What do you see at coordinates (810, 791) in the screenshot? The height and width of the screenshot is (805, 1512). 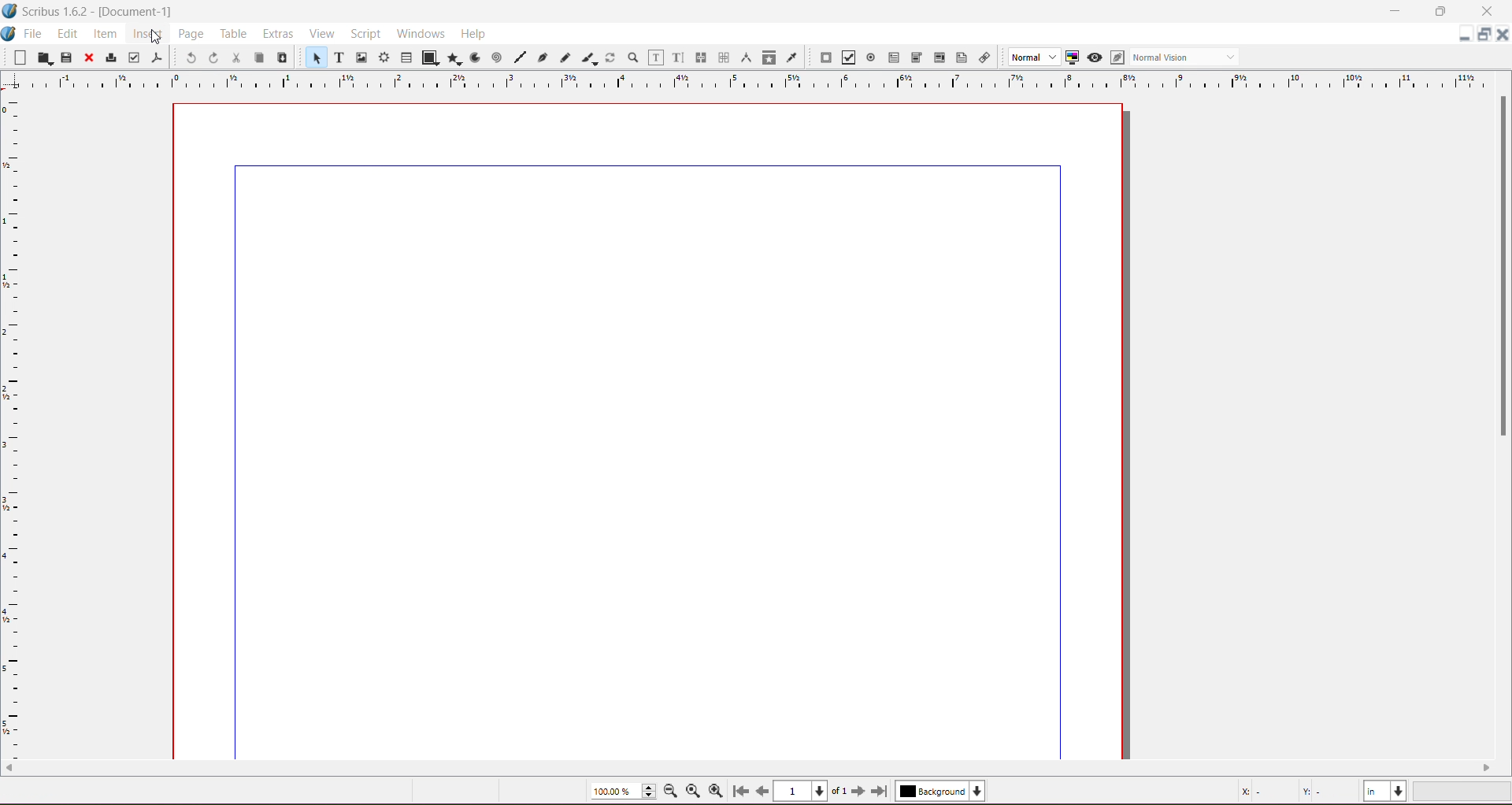 I see `Current Page` at bounding box center [810, 791].